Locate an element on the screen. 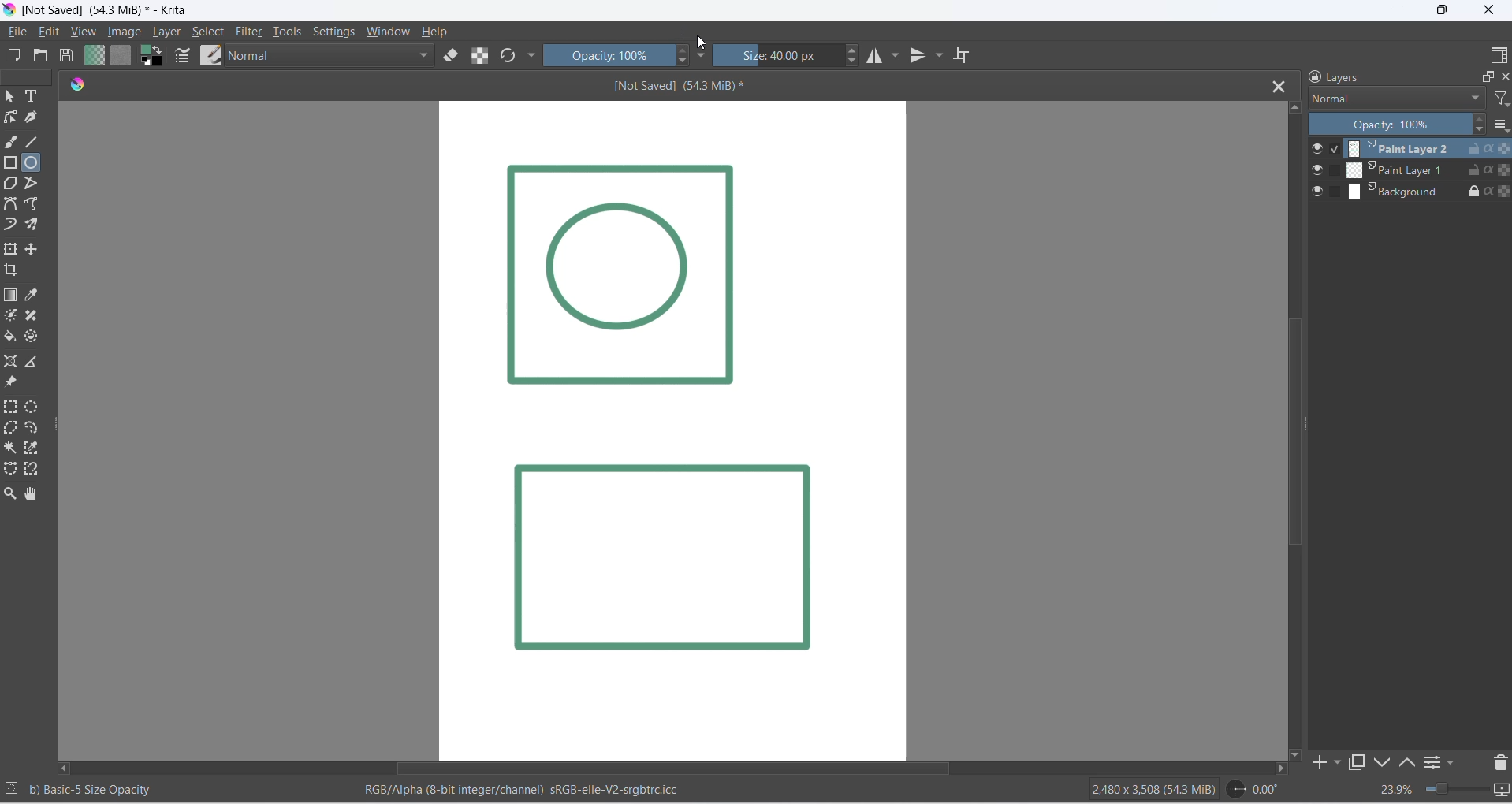 This screenshot has width=1512, height=804. move a layer is located at coordinates (36, 249).